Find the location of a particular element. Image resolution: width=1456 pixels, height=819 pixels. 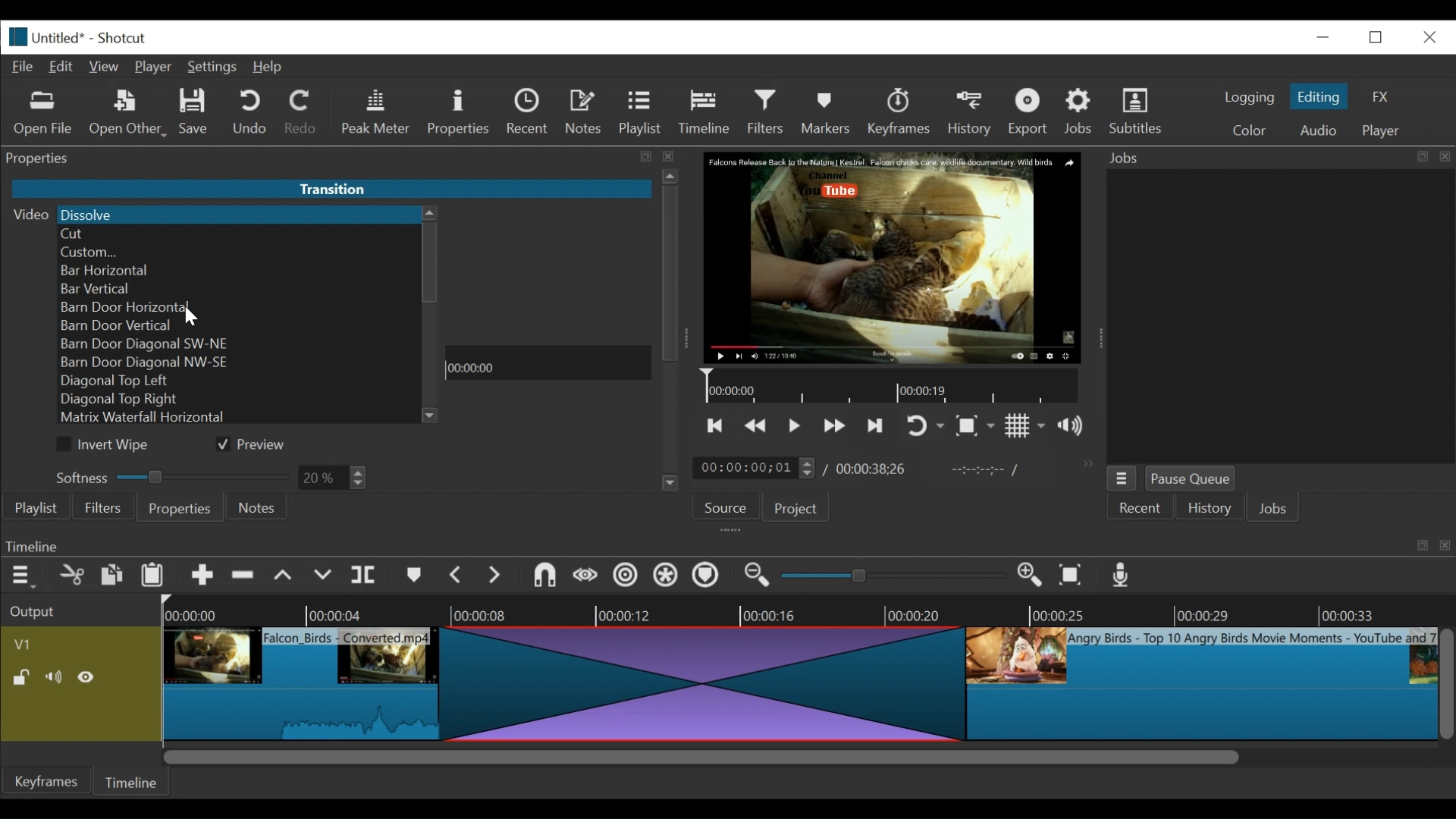

Scroll down is located at coordinates (670, 486).